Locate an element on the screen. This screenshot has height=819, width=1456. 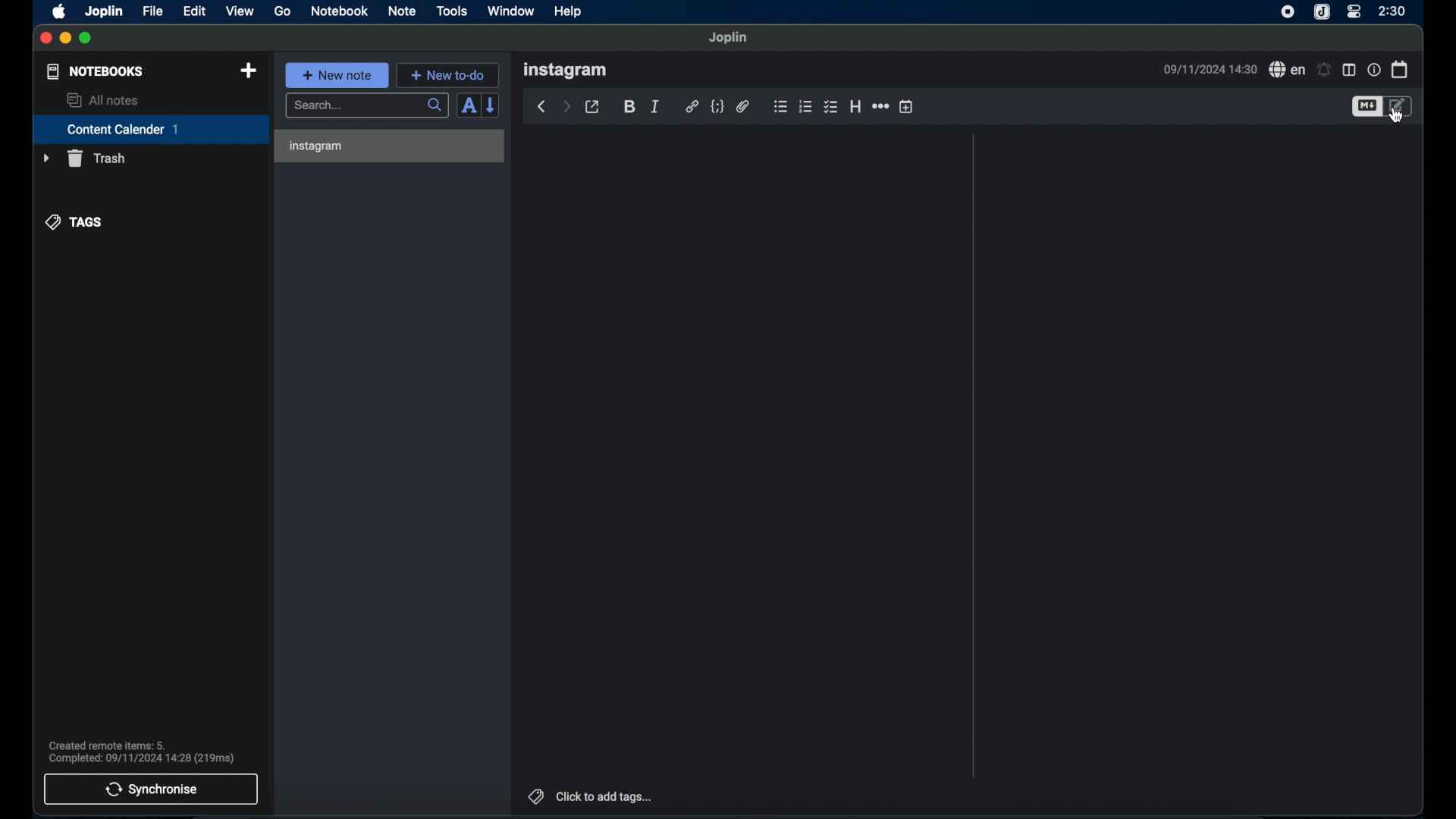
joplin icon is located at coordinates (1321, 12).